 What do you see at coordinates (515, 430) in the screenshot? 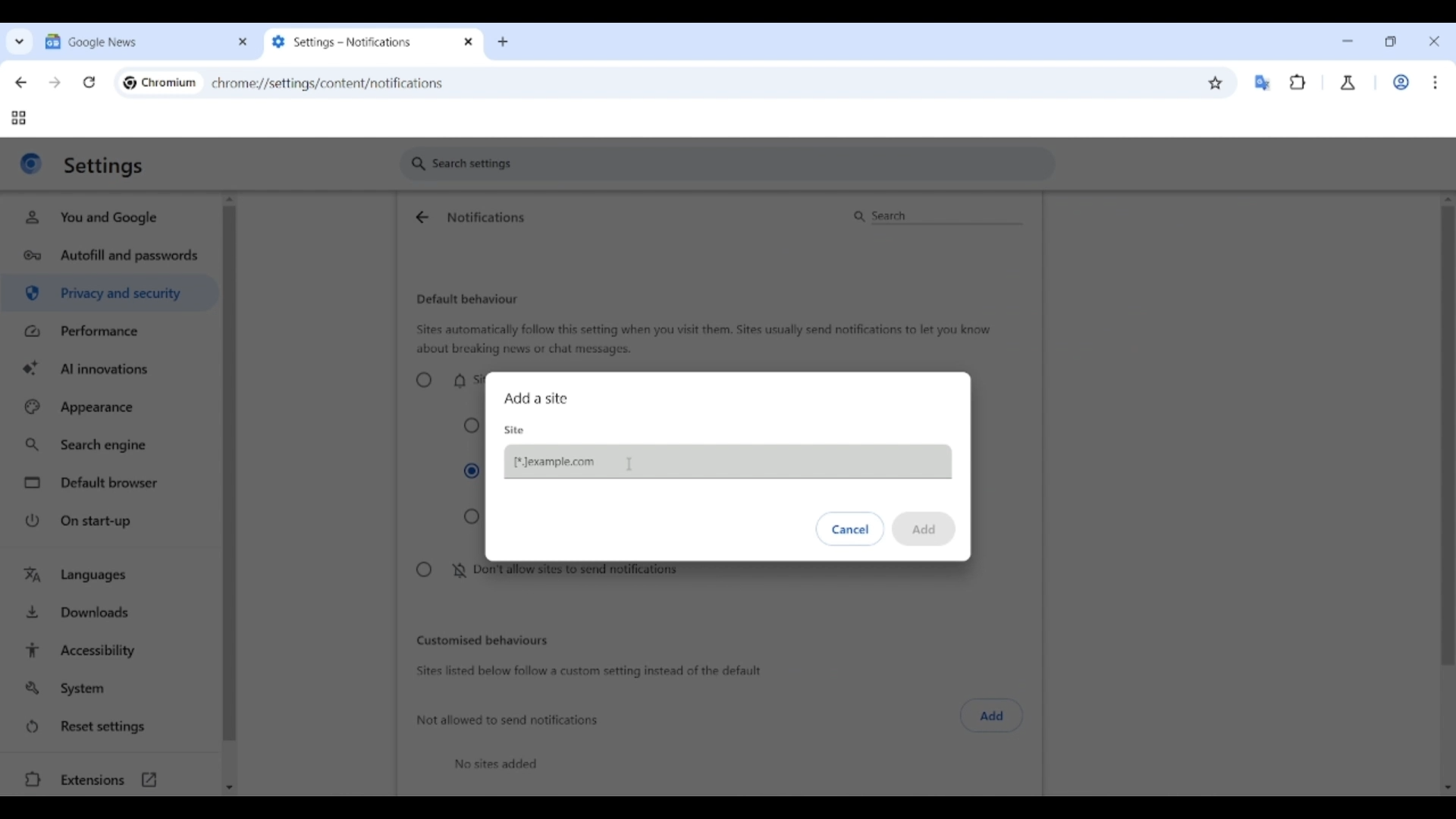
I see `Site` at bounding box center [515, 430].